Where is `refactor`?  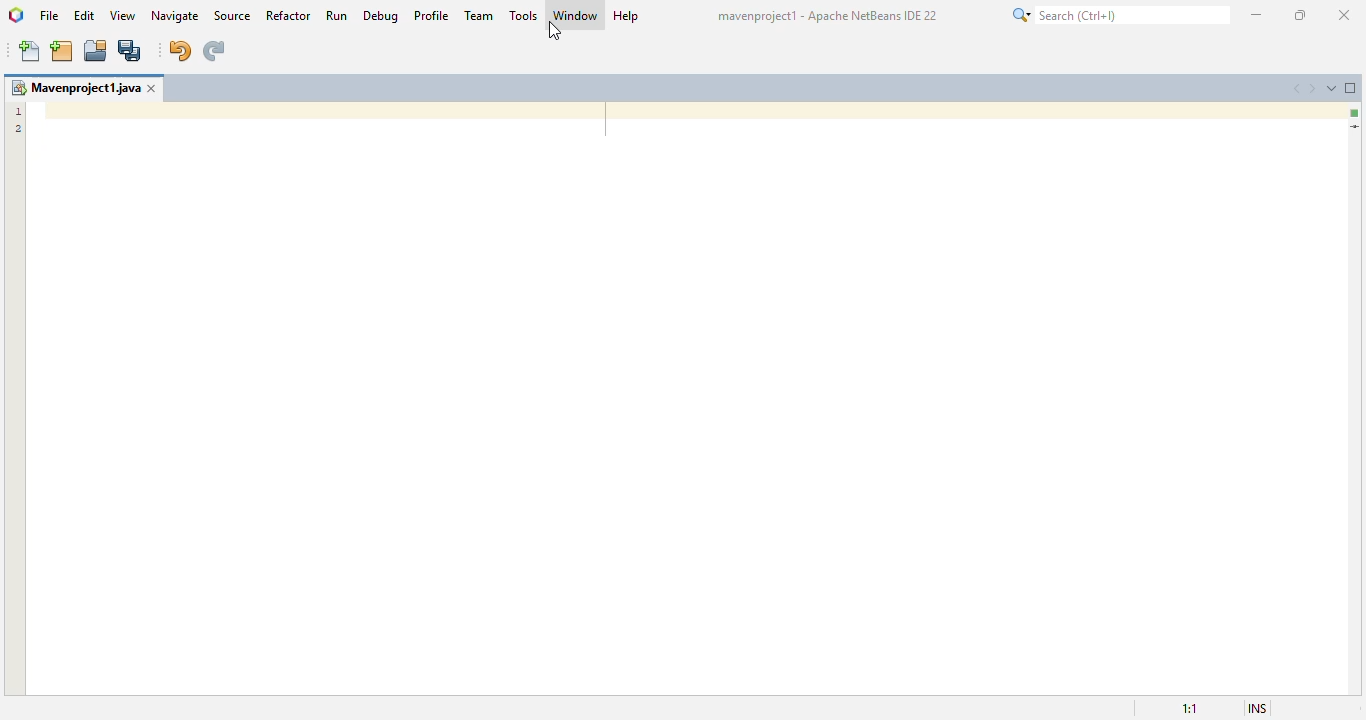
refactor is located at coordinates (289, 15).